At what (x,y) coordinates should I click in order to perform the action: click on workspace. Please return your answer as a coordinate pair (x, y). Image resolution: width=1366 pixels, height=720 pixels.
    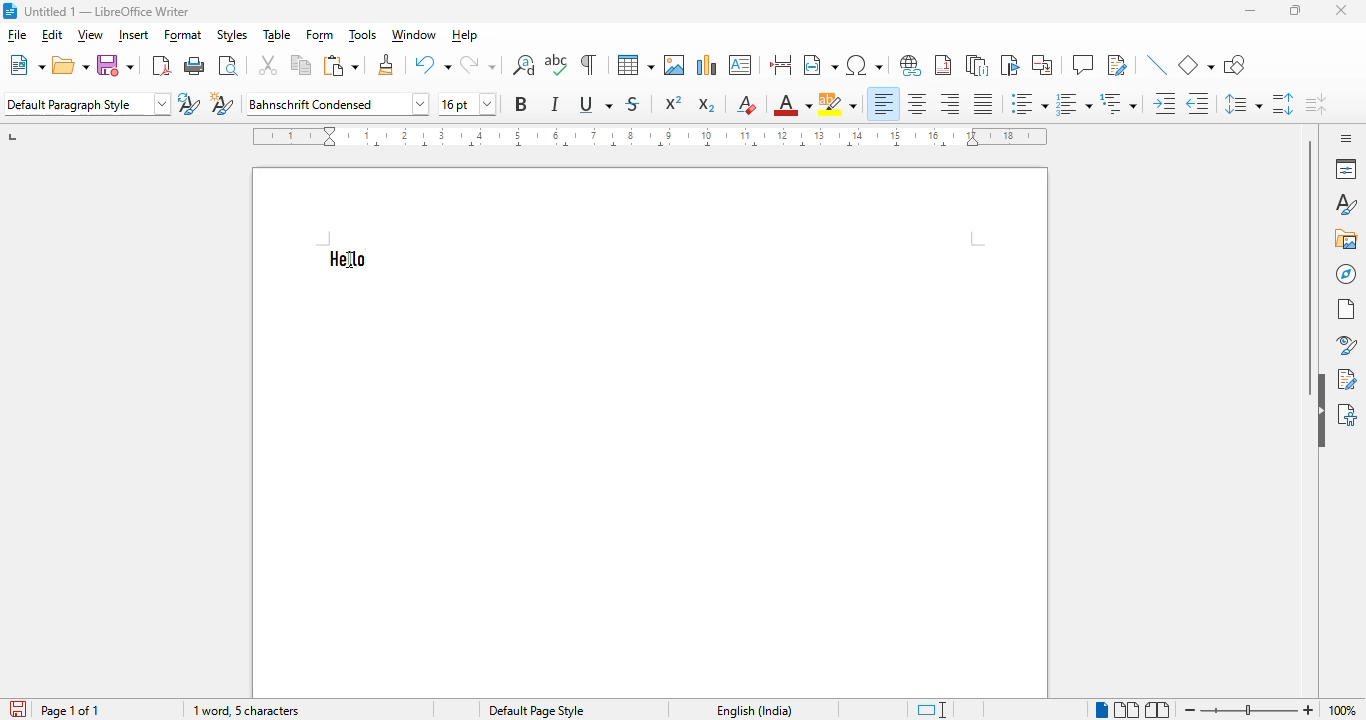
    Looking at the image, I should click on (701, 429).